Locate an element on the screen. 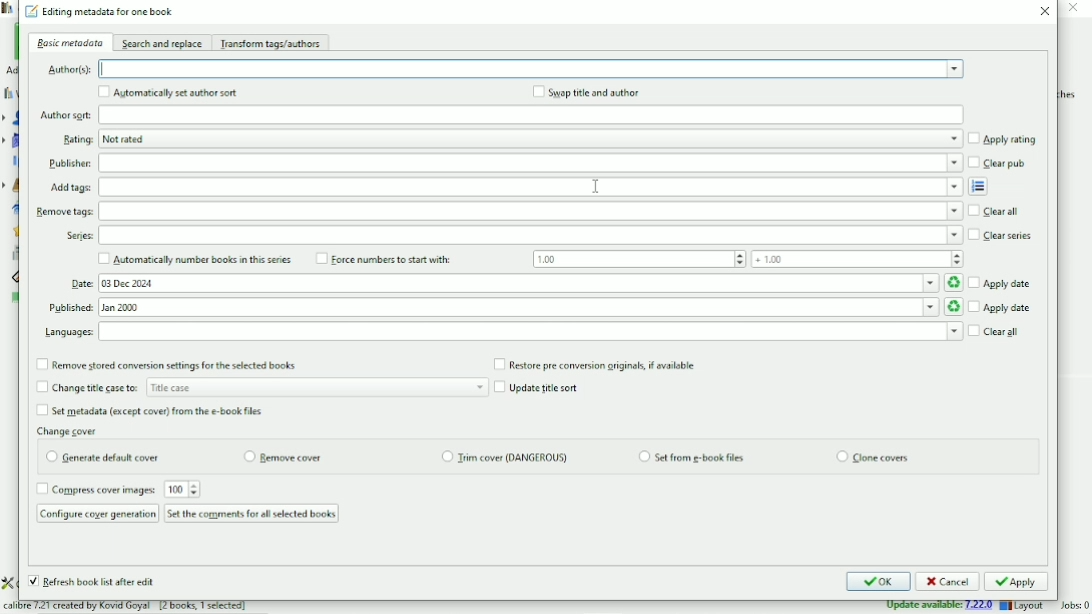 Image resolution: width=1092 pixels, height=614 pixels. Automatically number books in this series. is located at coordinates (195, 260).